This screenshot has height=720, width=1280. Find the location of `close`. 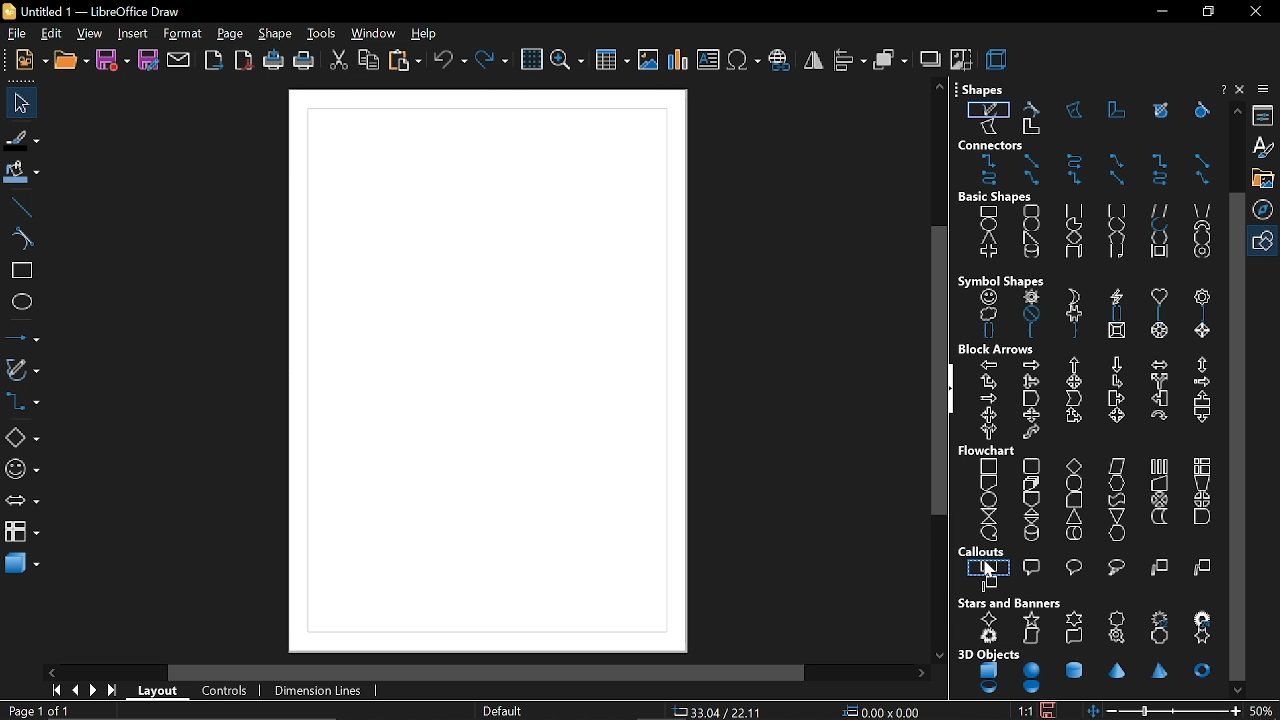

close is located at coordinates (1255, 11).